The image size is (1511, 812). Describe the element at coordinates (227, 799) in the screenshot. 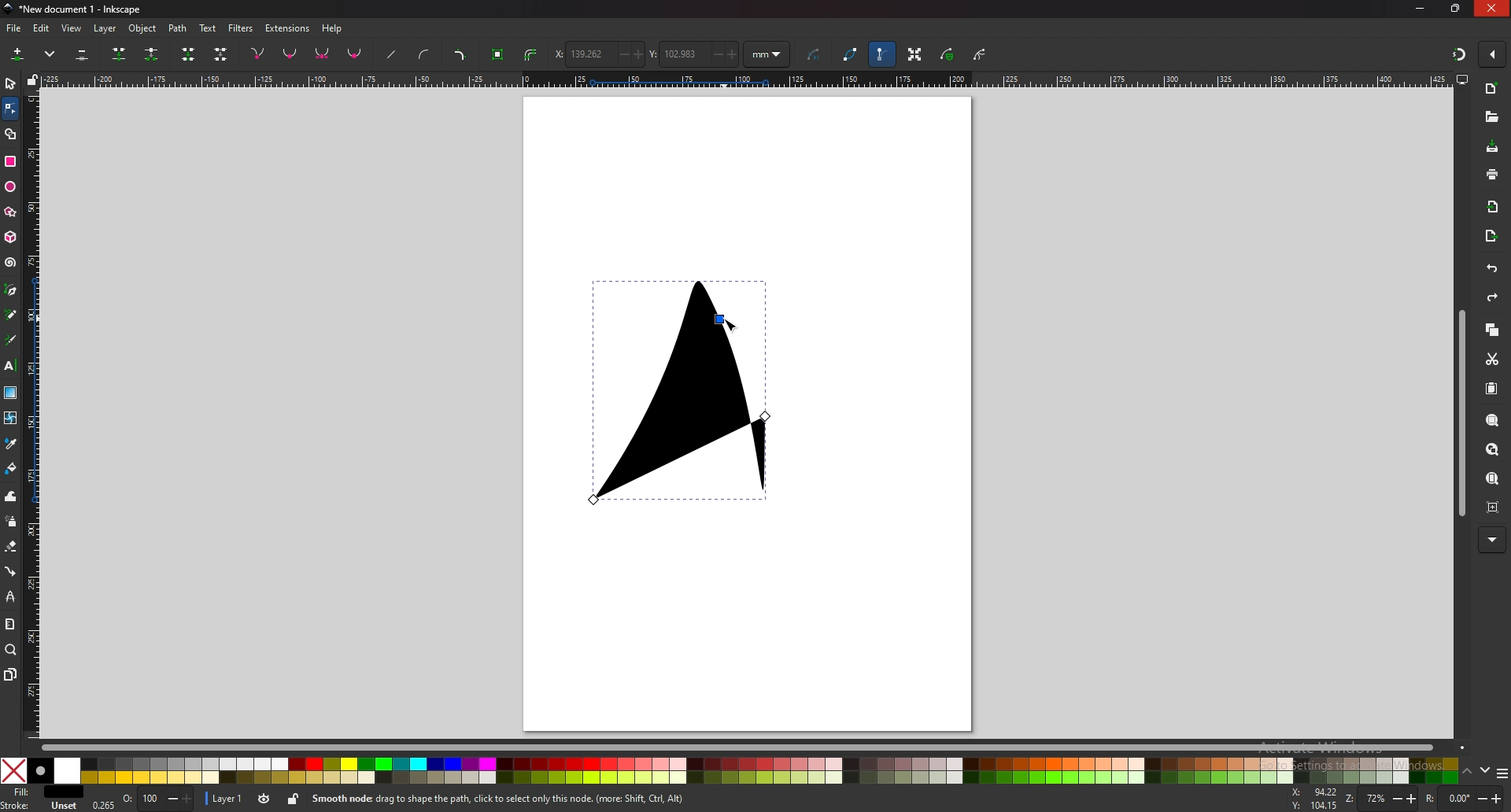

I see `layer` at that location.